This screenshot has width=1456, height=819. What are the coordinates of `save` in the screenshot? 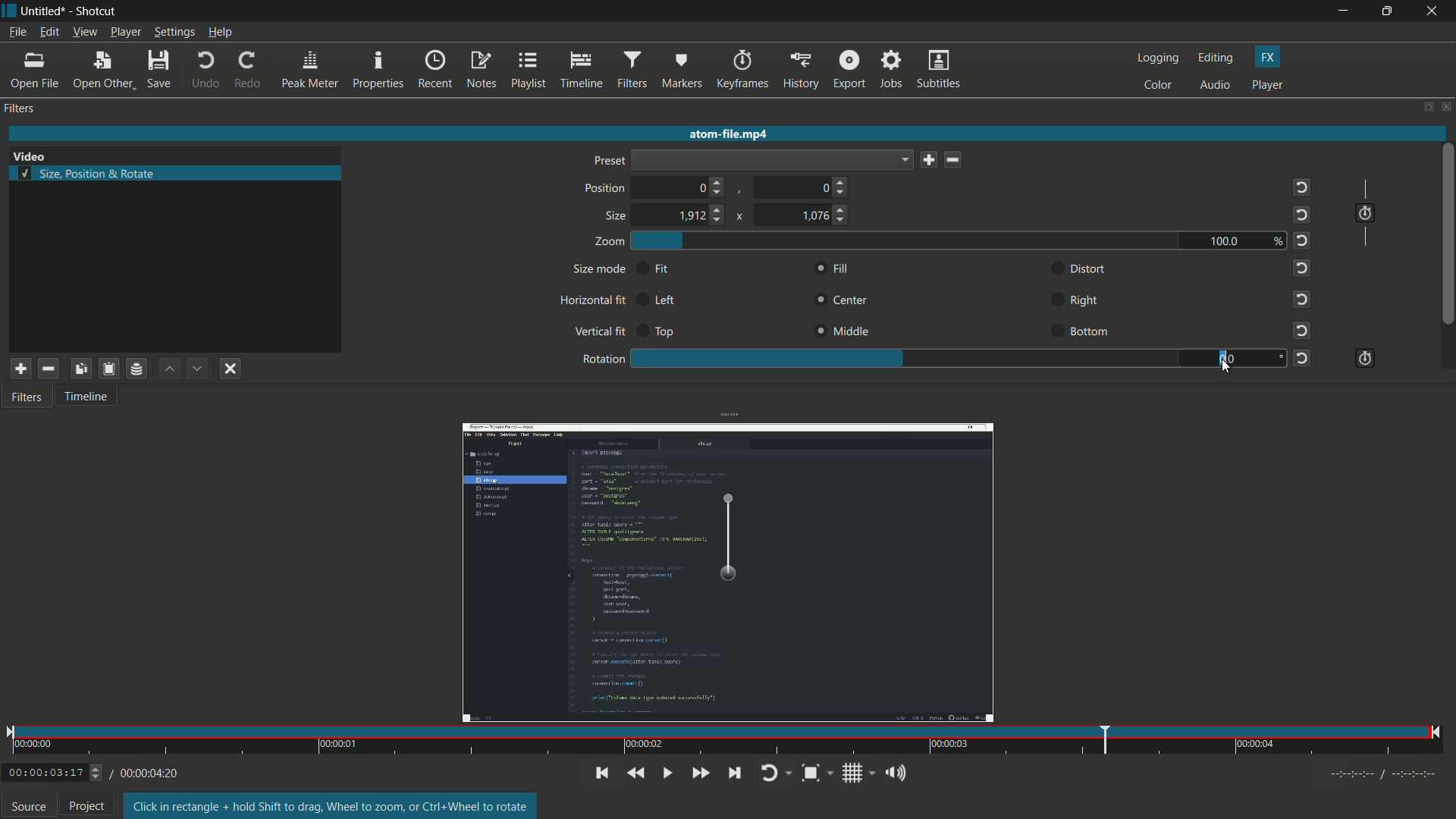 It's located at (158, 70).